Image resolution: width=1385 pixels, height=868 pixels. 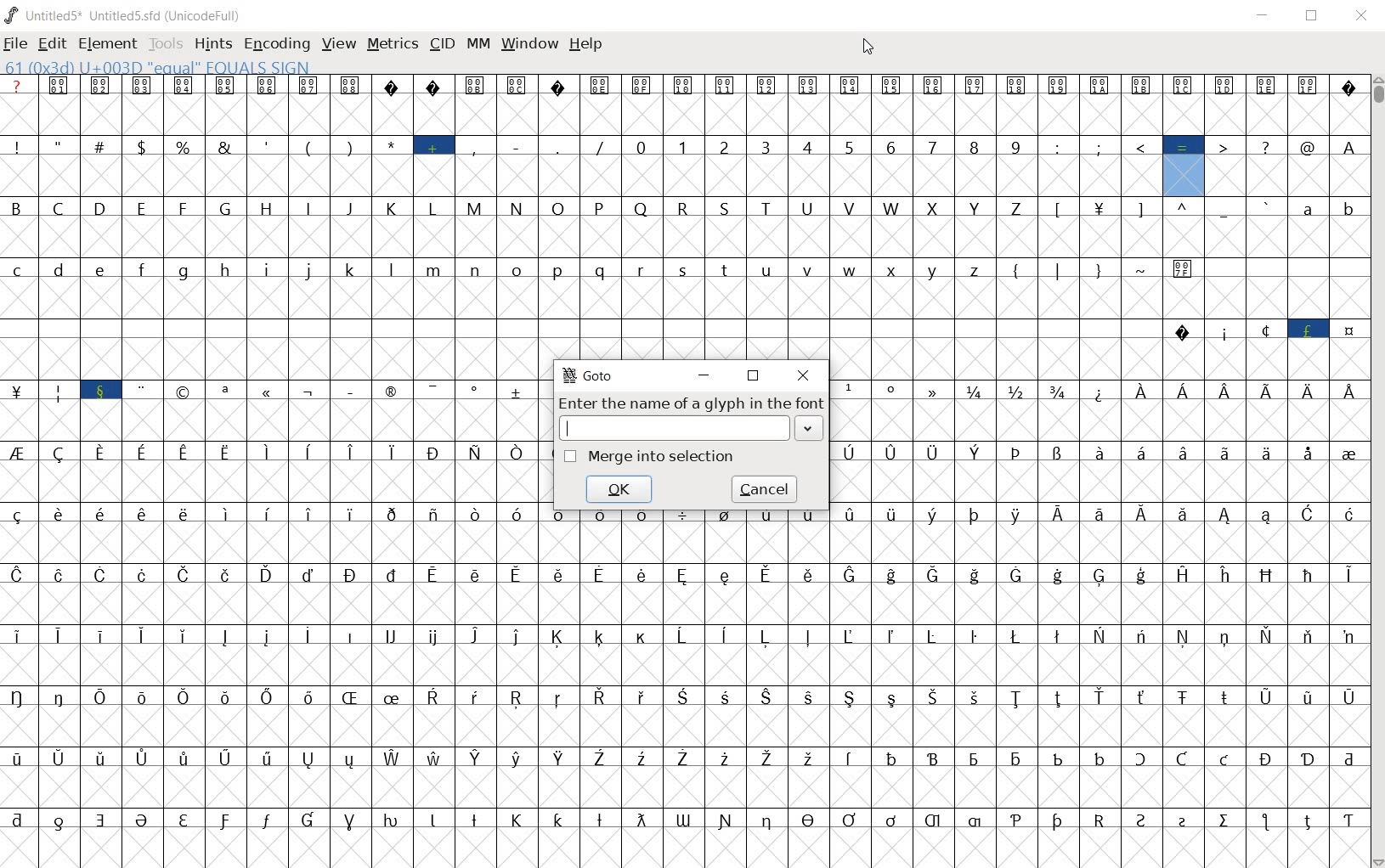 I want to click on tools, so click(x=166, y=45).